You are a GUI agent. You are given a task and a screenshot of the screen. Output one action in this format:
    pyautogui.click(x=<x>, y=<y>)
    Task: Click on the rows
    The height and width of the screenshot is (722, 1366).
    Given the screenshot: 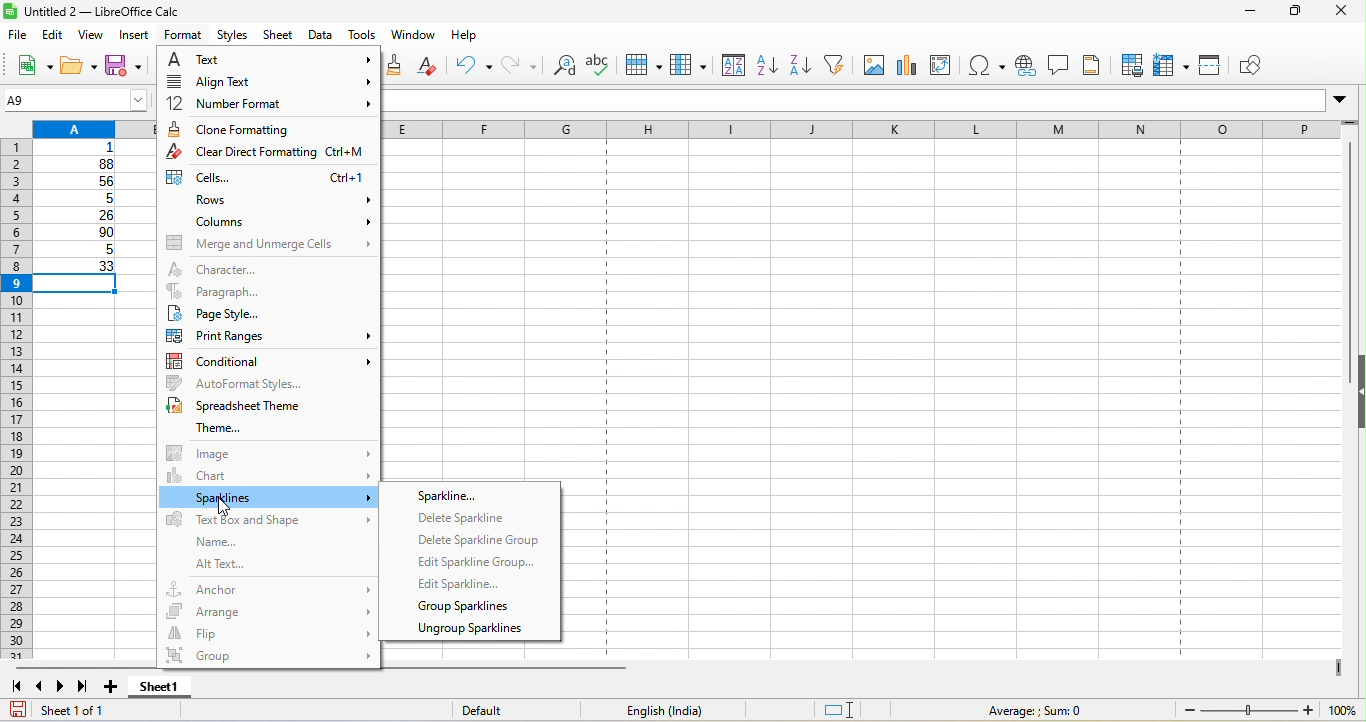 What is the action you would take?
    pyautogui.click(x=15, y=401)
    